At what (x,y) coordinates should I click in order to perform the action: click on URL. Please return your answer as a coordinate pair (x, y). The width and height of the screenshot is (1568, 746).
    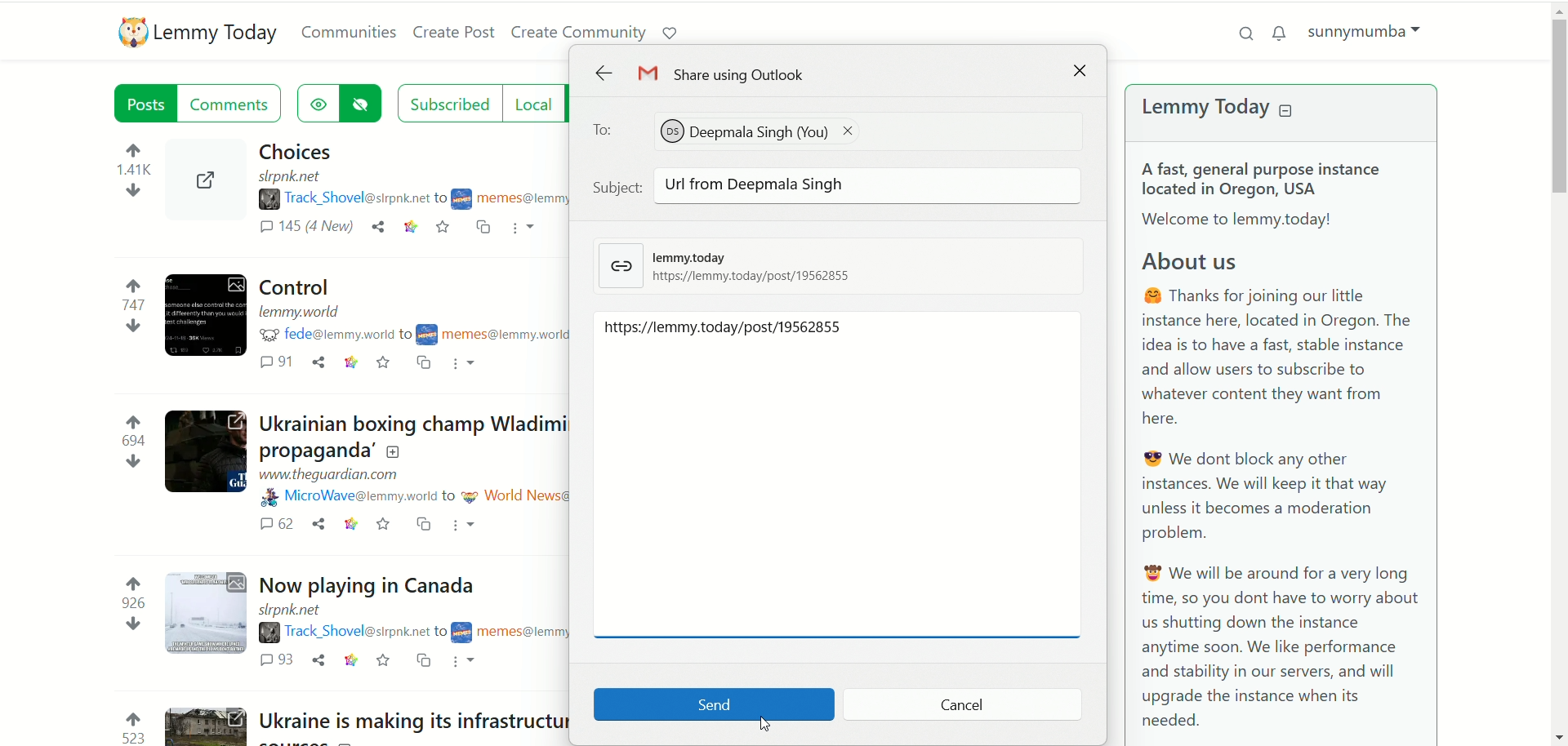
    Looking at the image, I should click on (294, 611).